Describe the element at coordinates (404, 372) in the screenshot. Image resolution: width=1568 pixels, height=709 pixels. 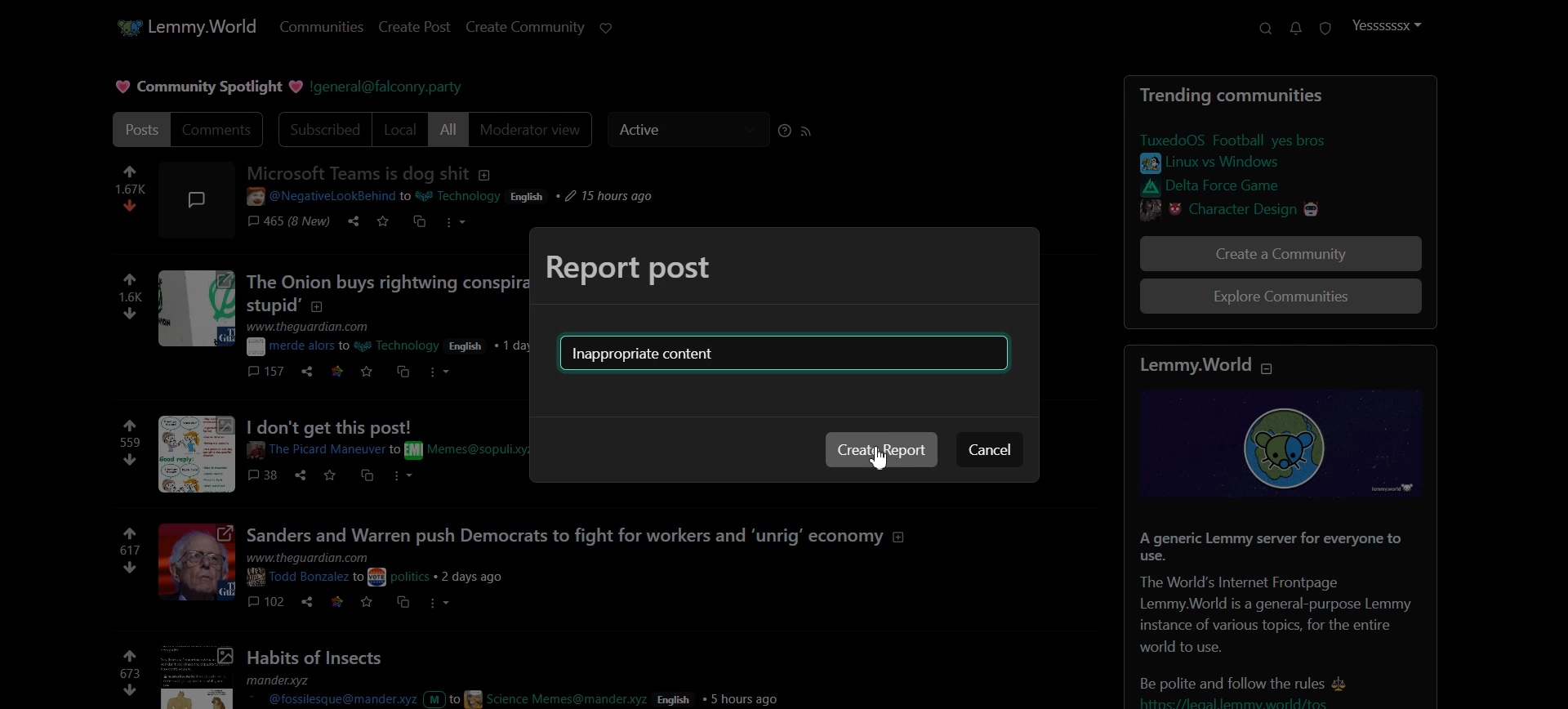
I see `cs` at that location.